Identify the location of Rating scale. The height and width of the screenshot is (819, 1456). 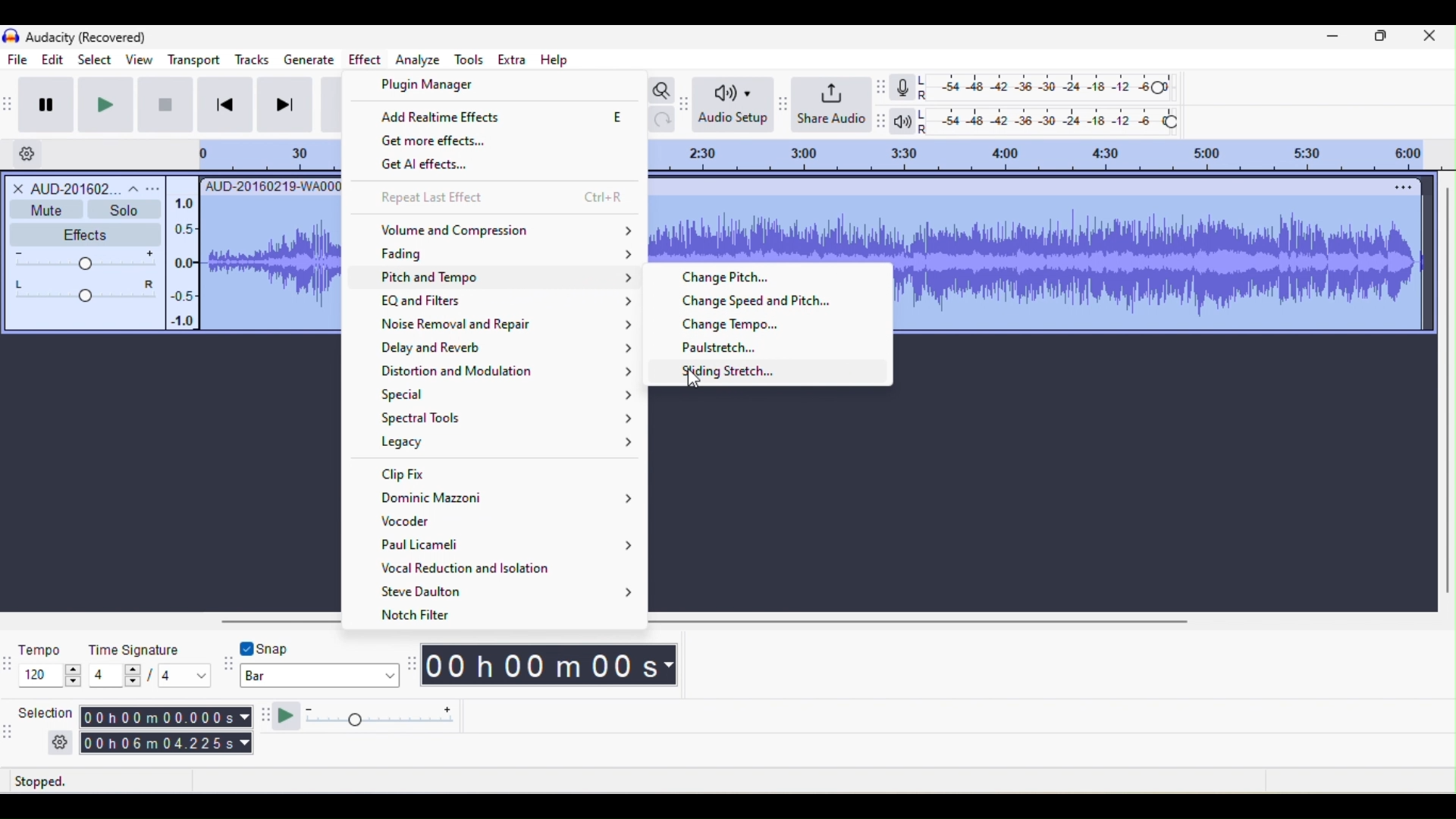
(251, 155).